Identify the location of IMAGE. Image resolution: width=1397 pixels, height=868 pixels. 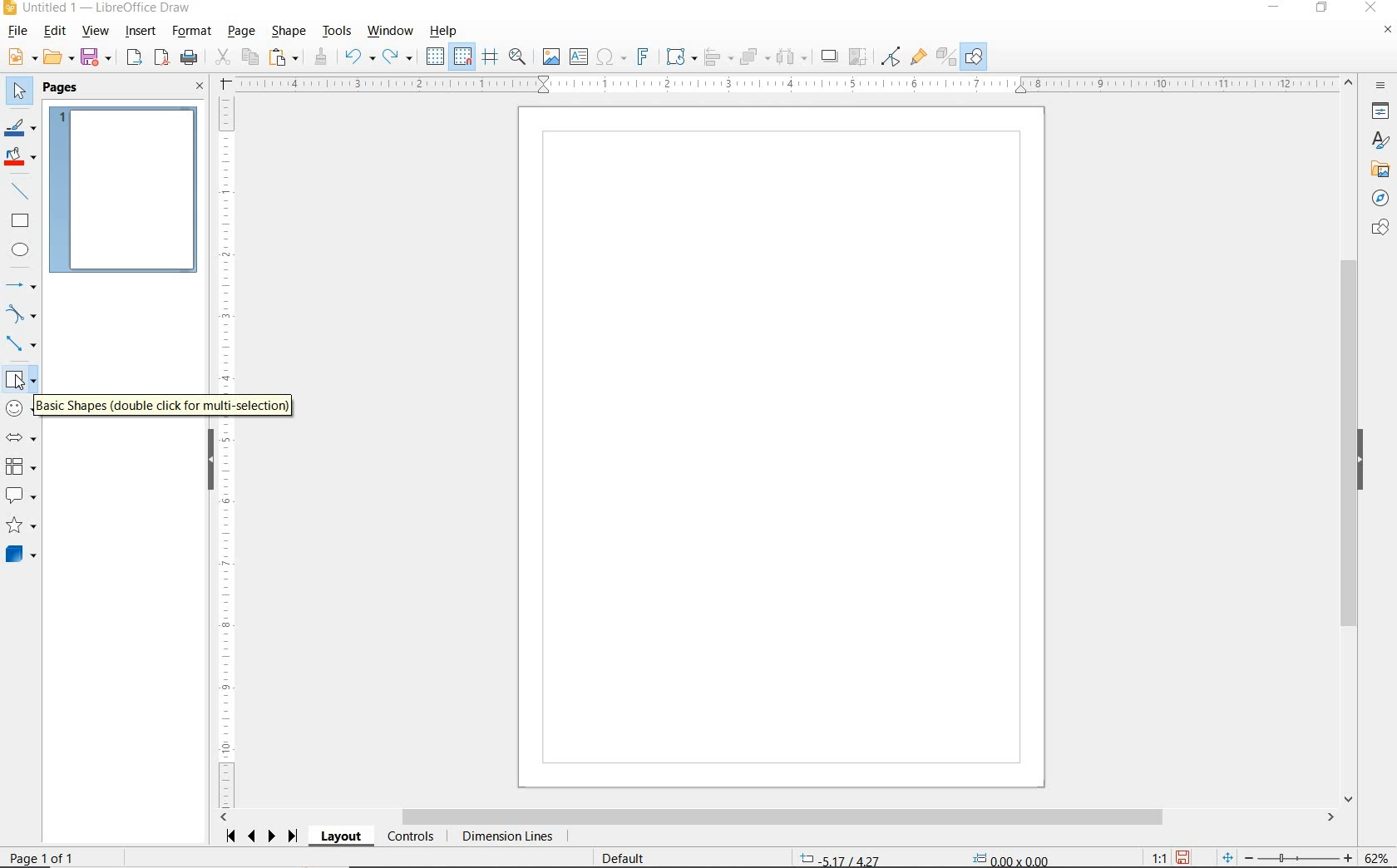
(550, 56).